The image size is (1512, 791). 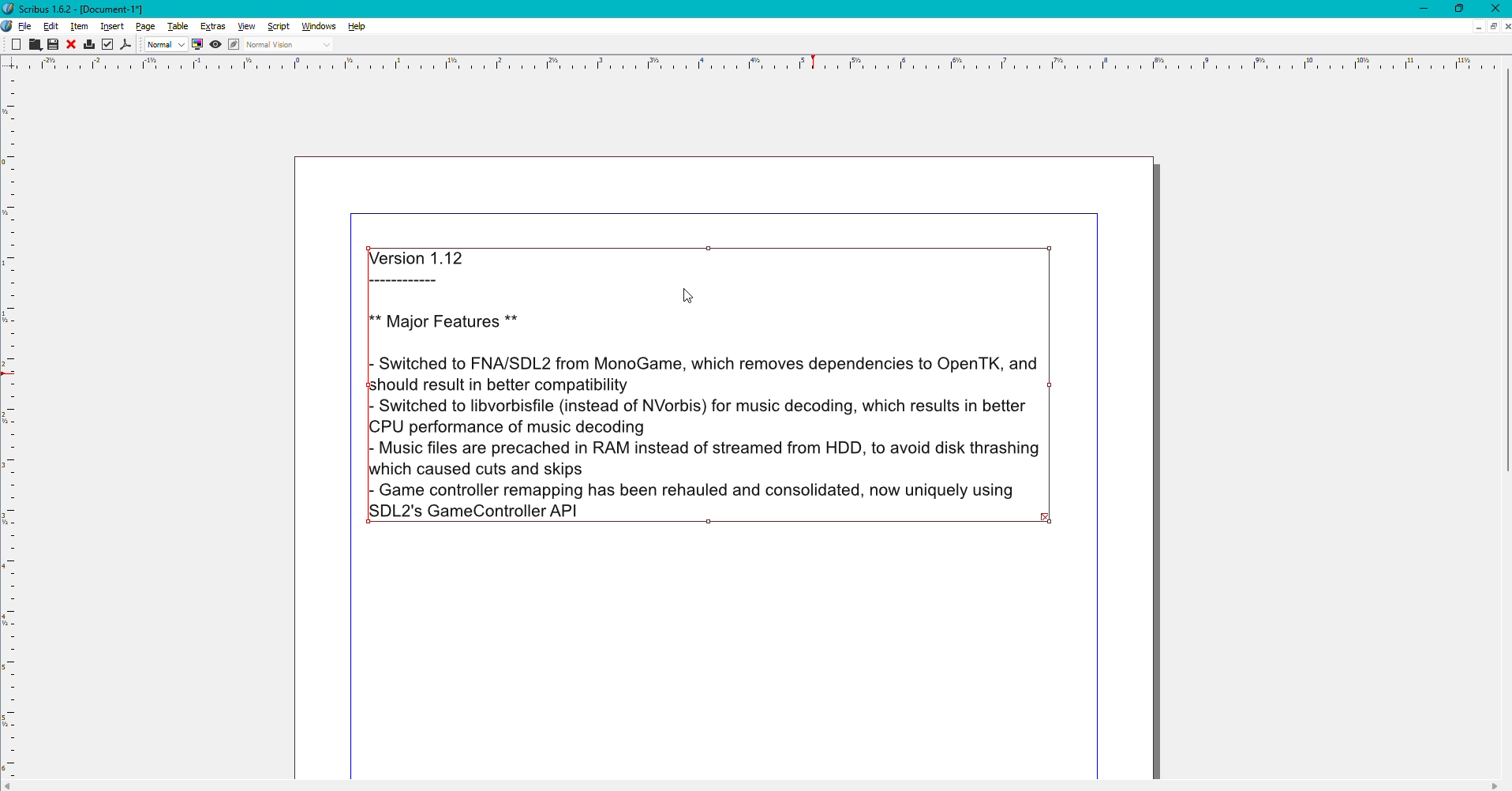 What do you see at coordinates (283, 45) in the screenshot?
I see `Normal Vision` at bounding box center [283, 45].